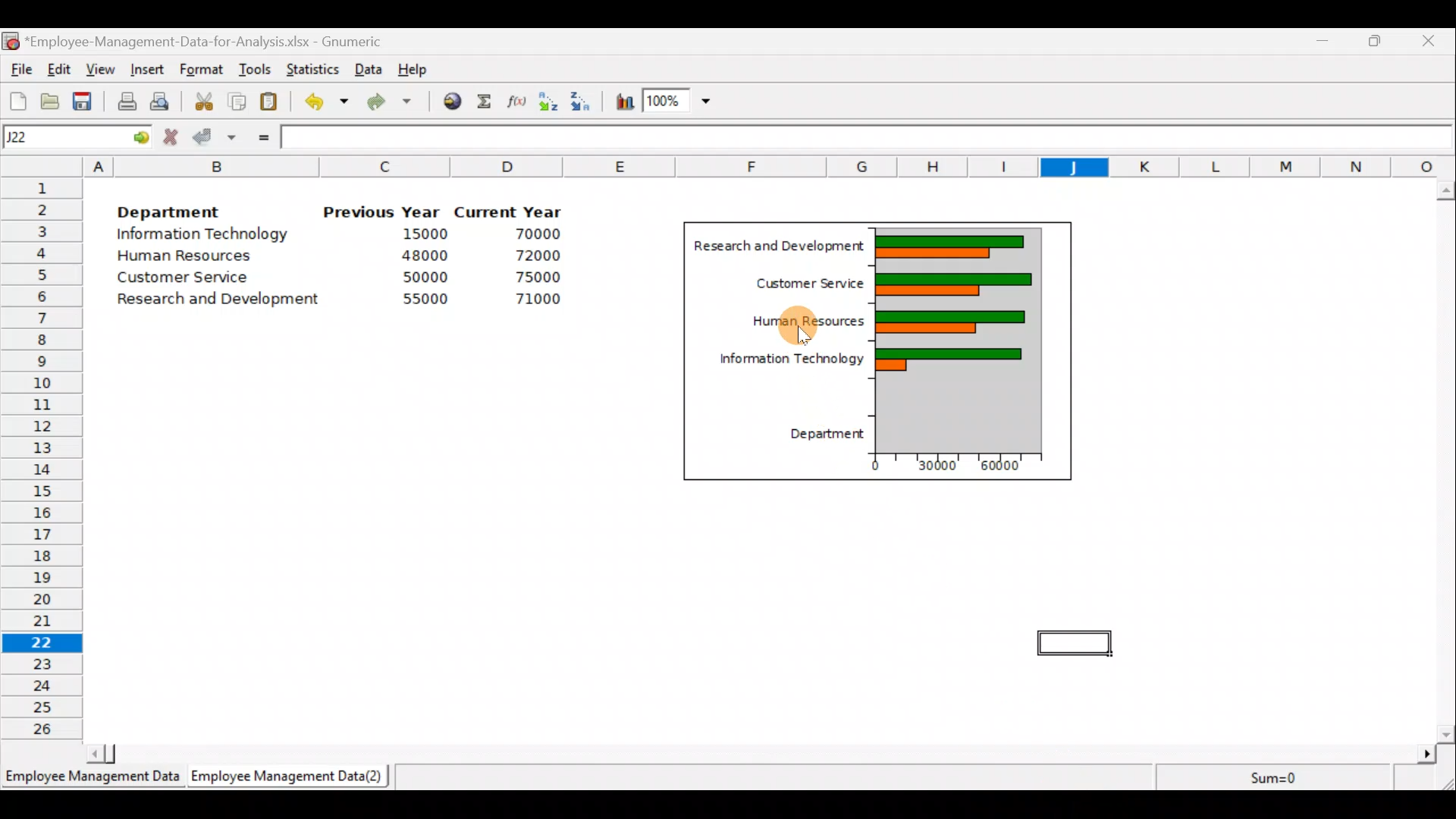 This screenshot has width=1456, height=819. Describe the element at coordinates (548, 101) in the screenshot. I see `Sort in Ascending order` at that location.